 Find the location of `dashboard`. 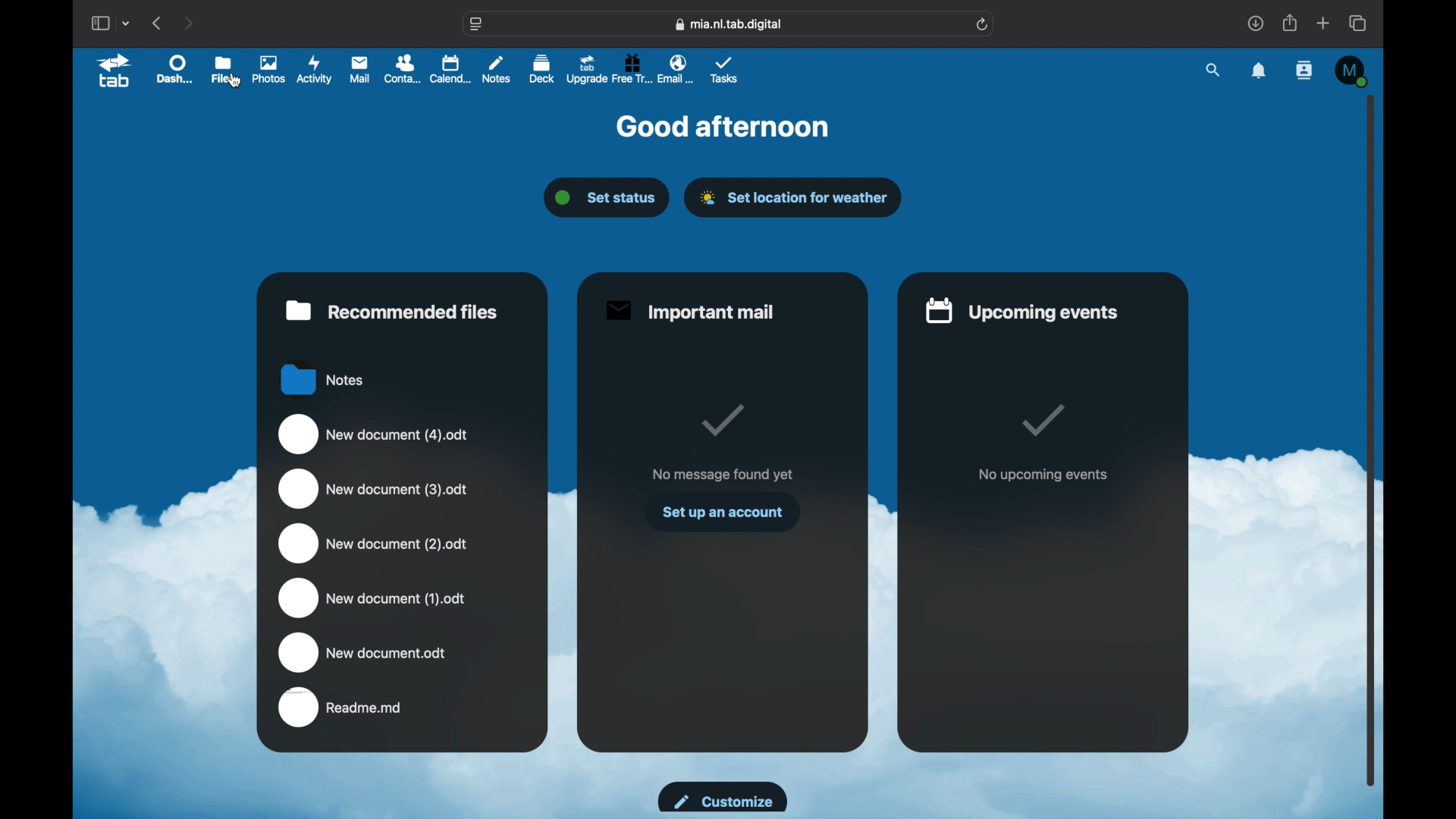

dashboard is located at coordinates (177, 70).